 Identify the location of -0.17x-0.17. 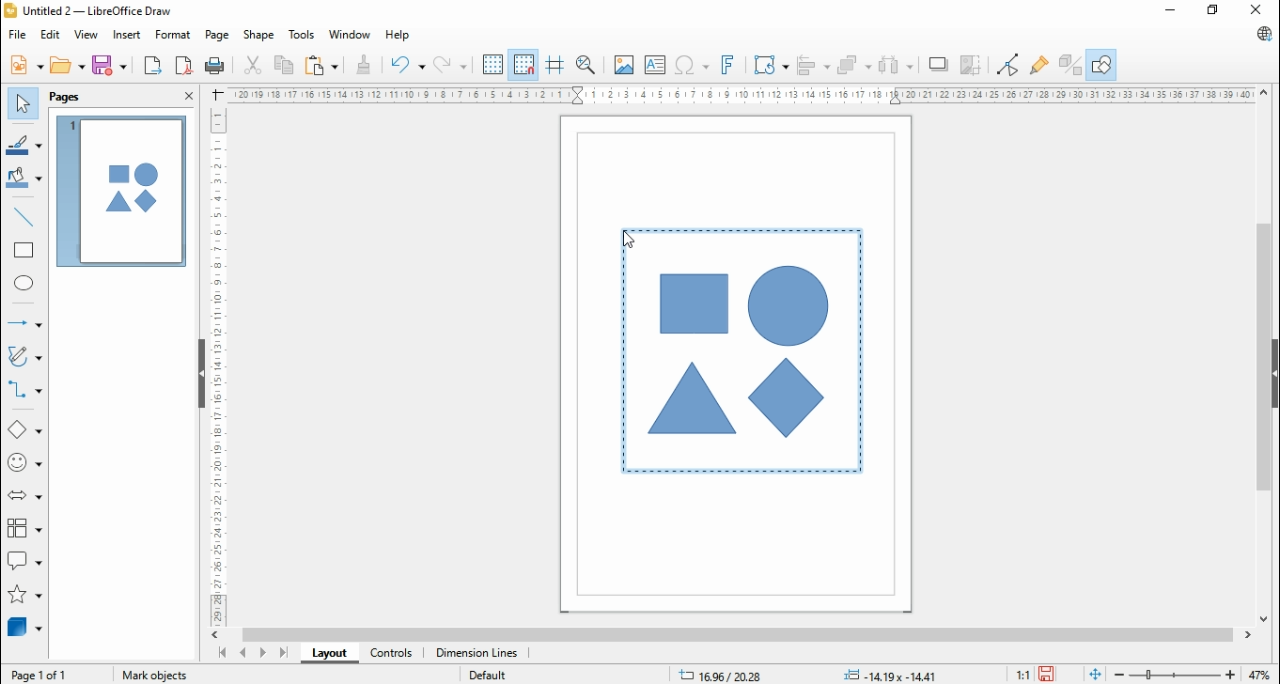
(883, 674).